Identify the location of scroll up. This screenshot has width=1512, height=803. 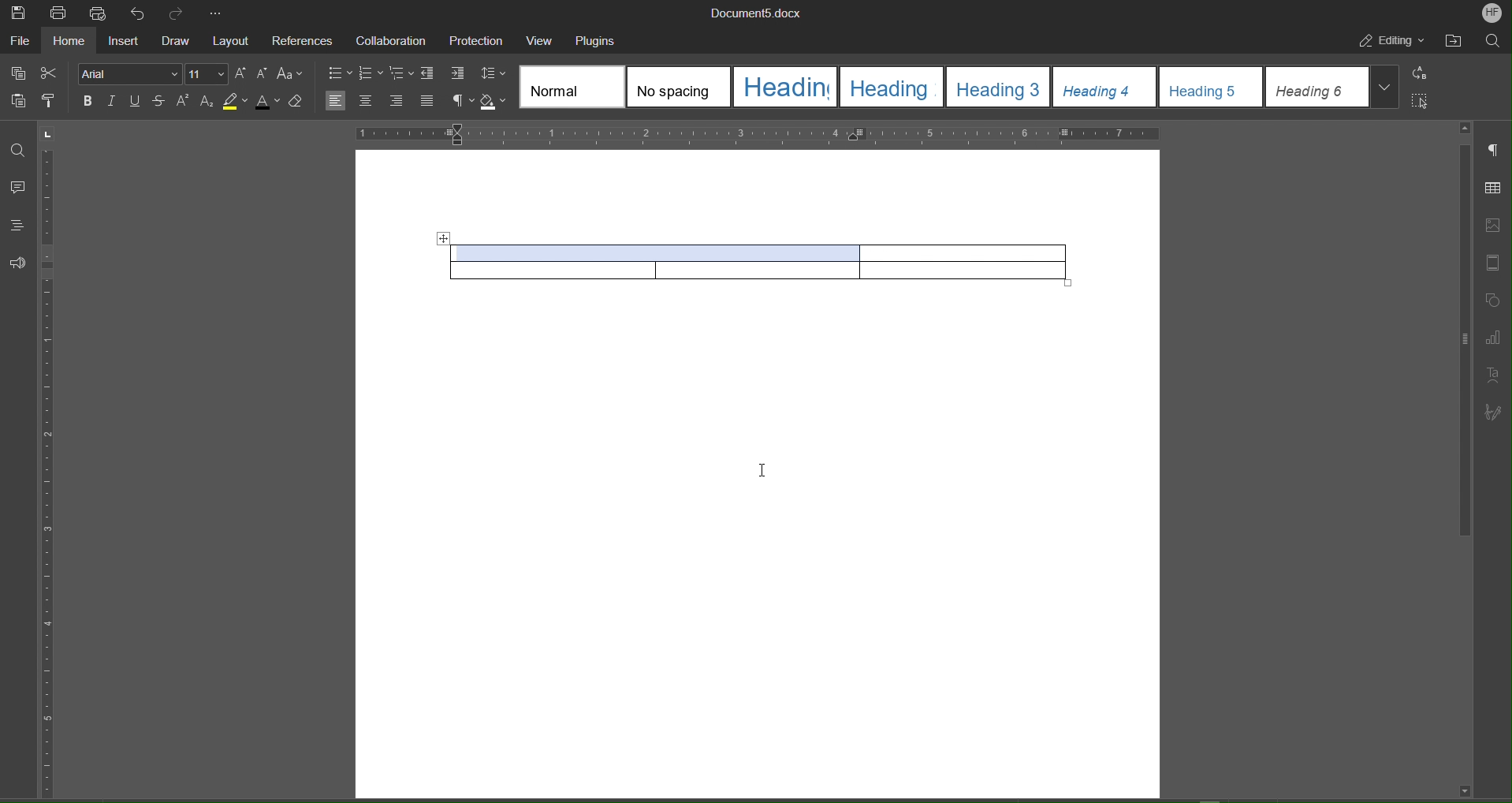
(1465, 128).